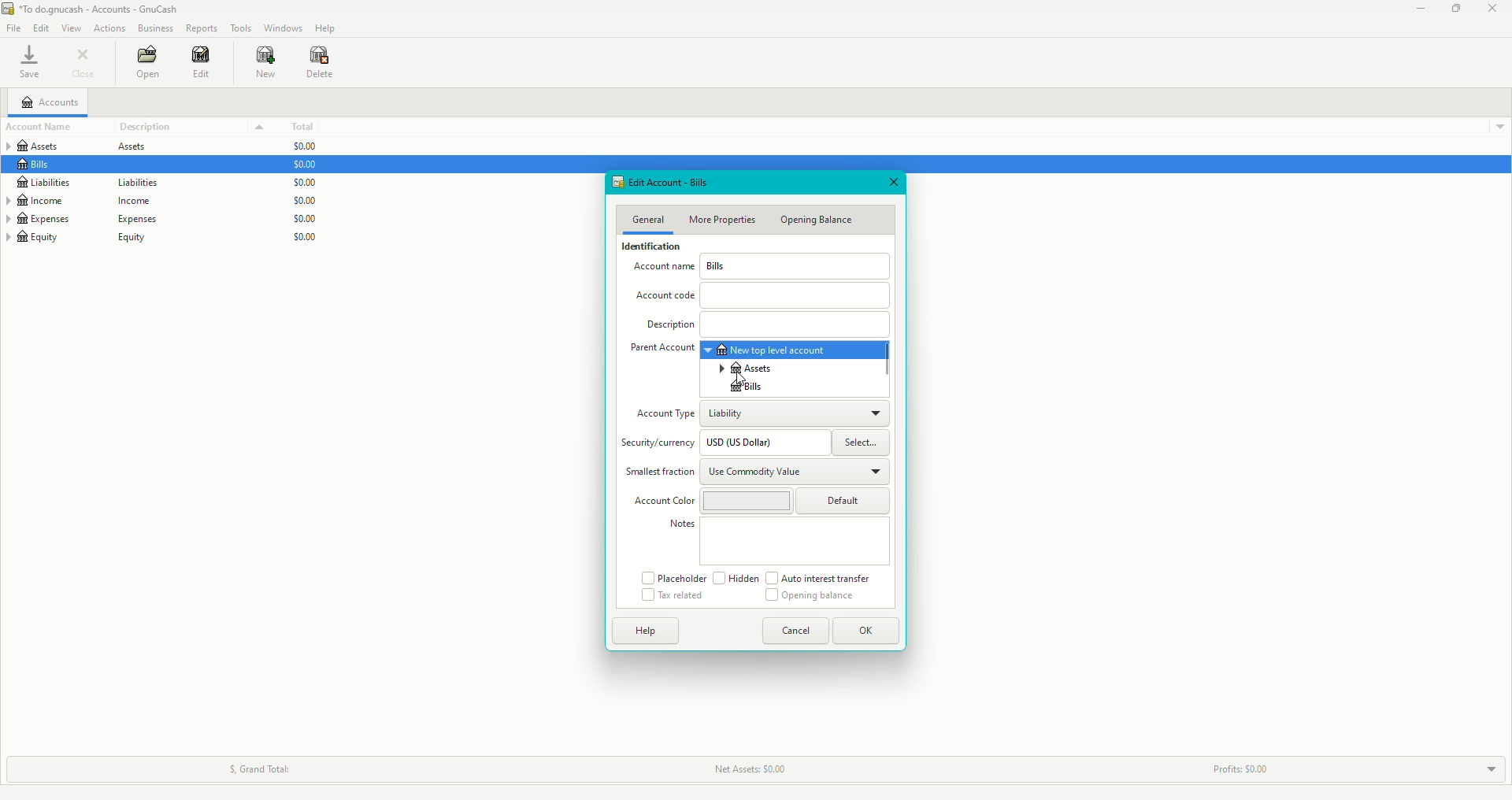 This screenshot has width=1512, height=800. I want to click on USD, so click(764, 443).